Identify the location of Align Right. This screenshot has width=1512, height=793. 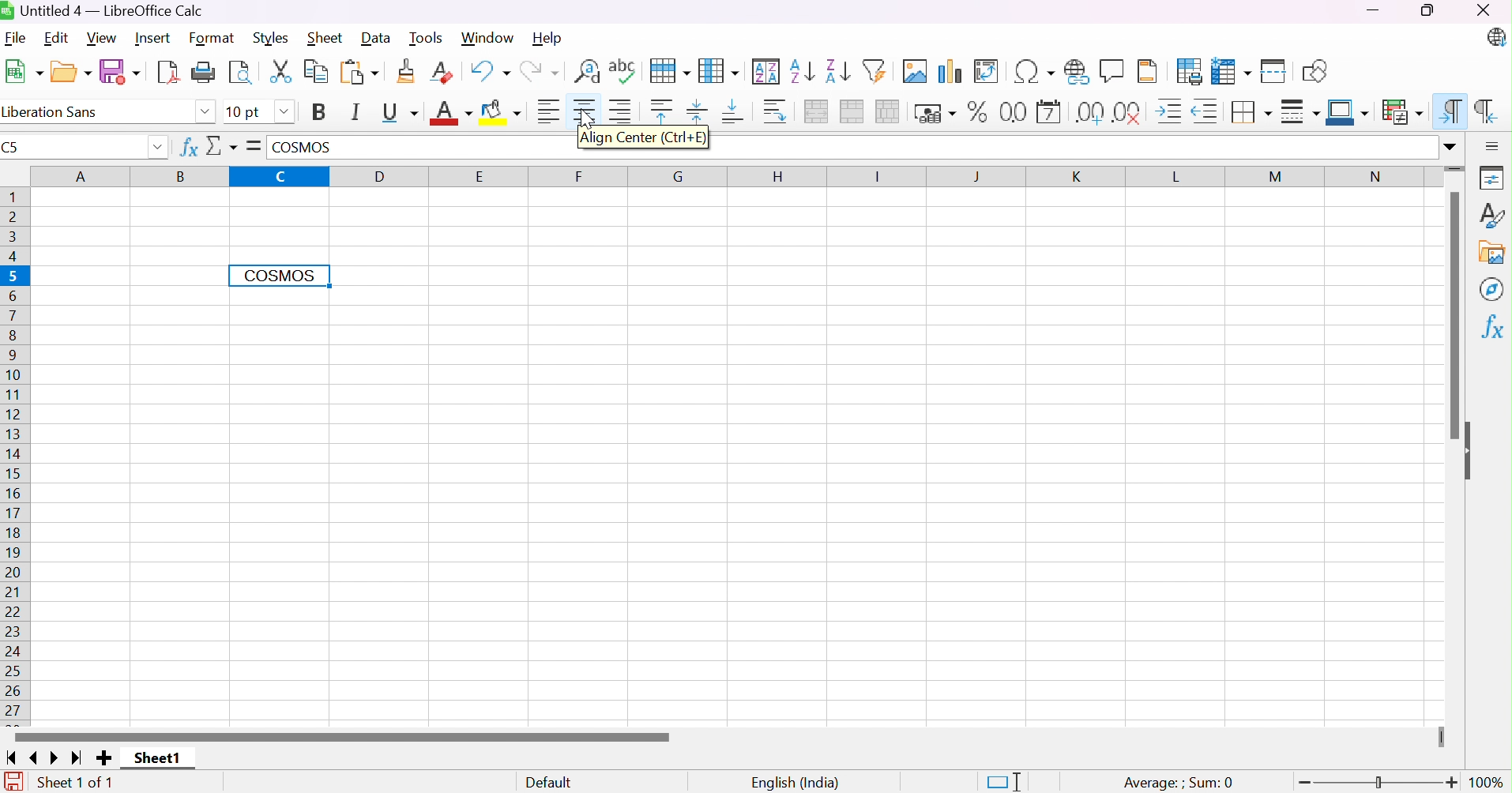
(624, 111).